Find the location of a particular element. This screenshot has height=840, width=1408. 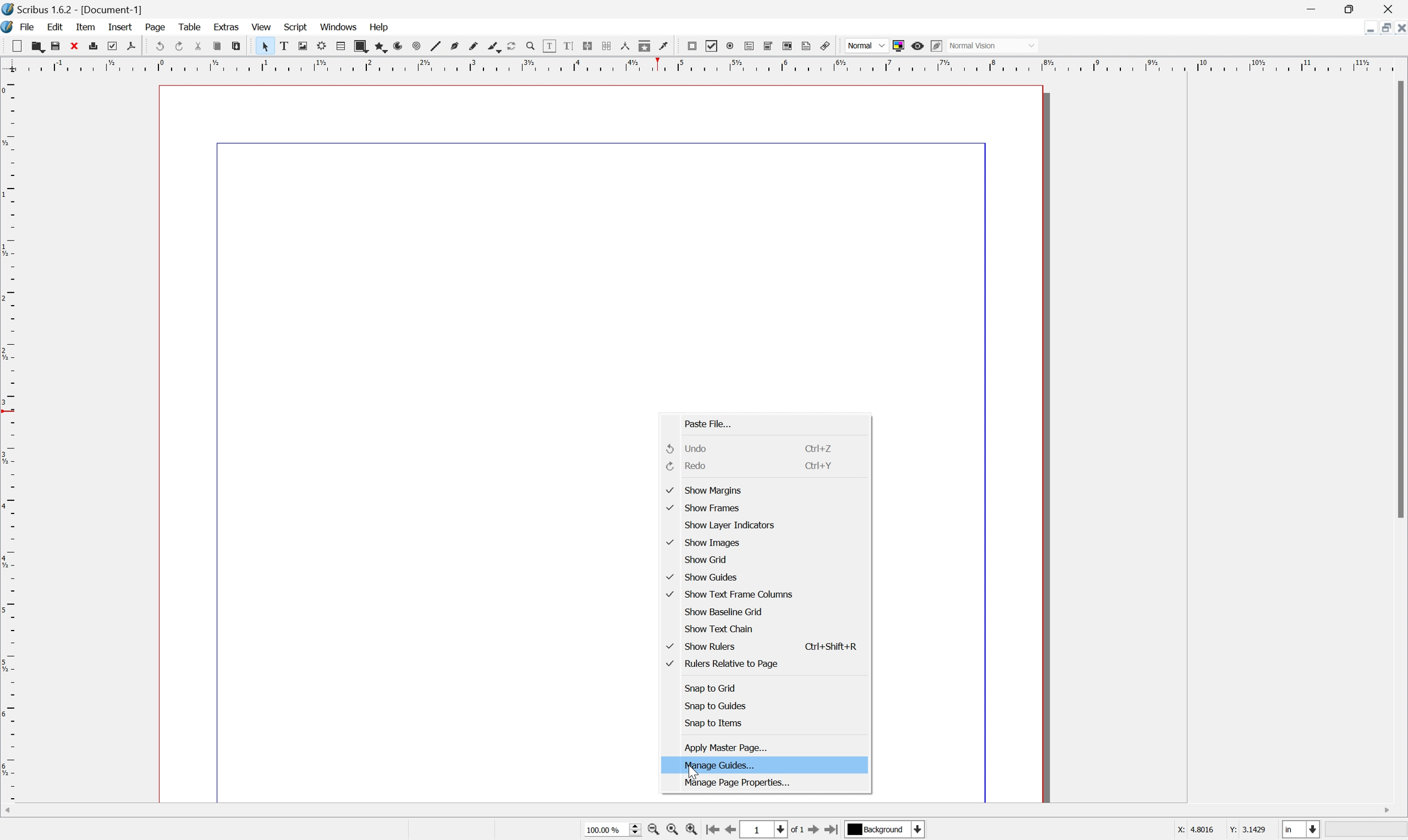

render frame is located at coordinates (322, 47).